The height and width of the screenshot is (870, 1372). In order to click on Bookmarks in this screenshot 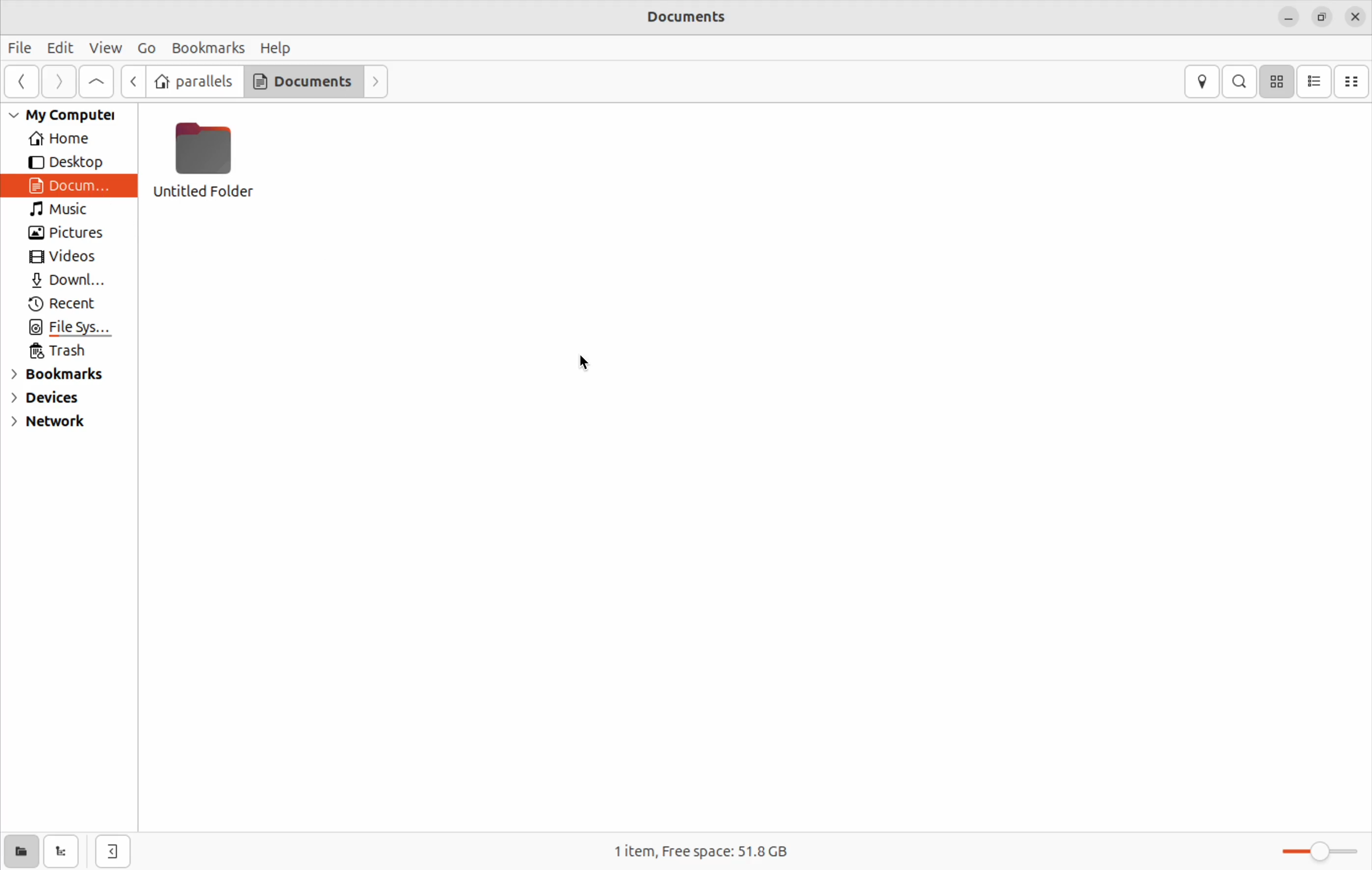, I will do `click(207, 44)`.